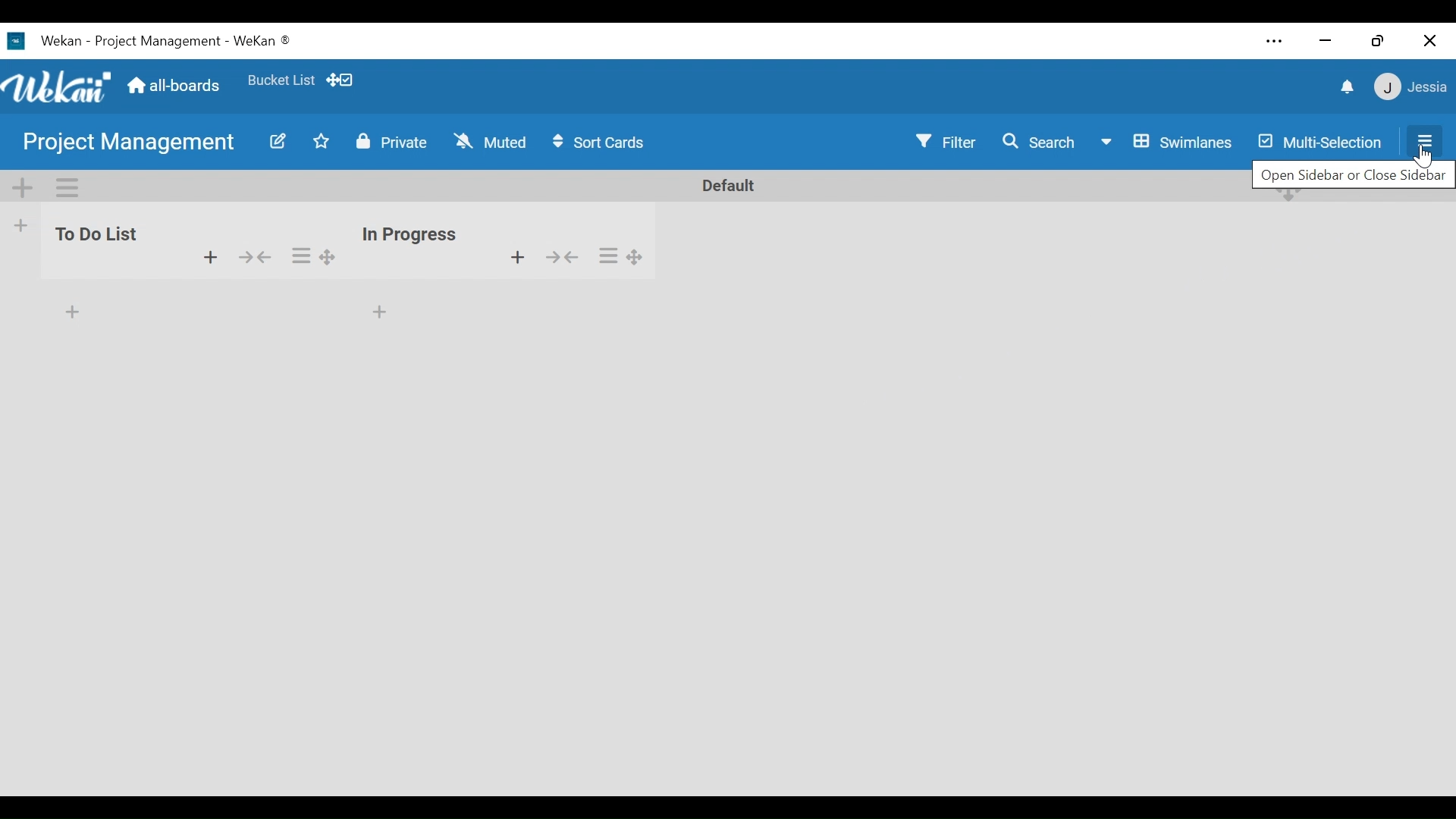 This screenshot has height=819, width=1456. I want to click on options, so click(311, 253).